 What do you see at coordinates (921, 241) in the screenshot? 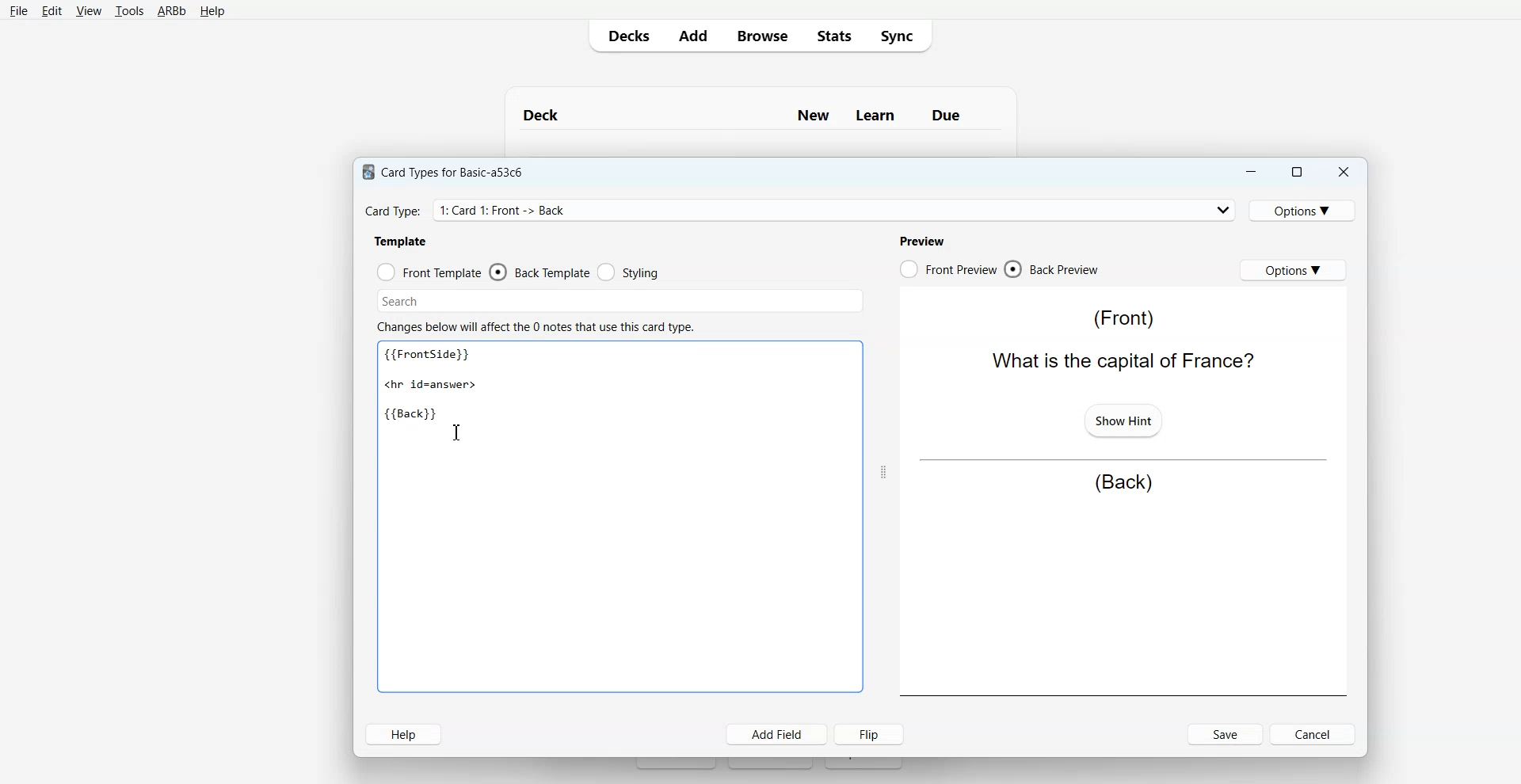
I see `Preview` at bounding box center [921, 241].